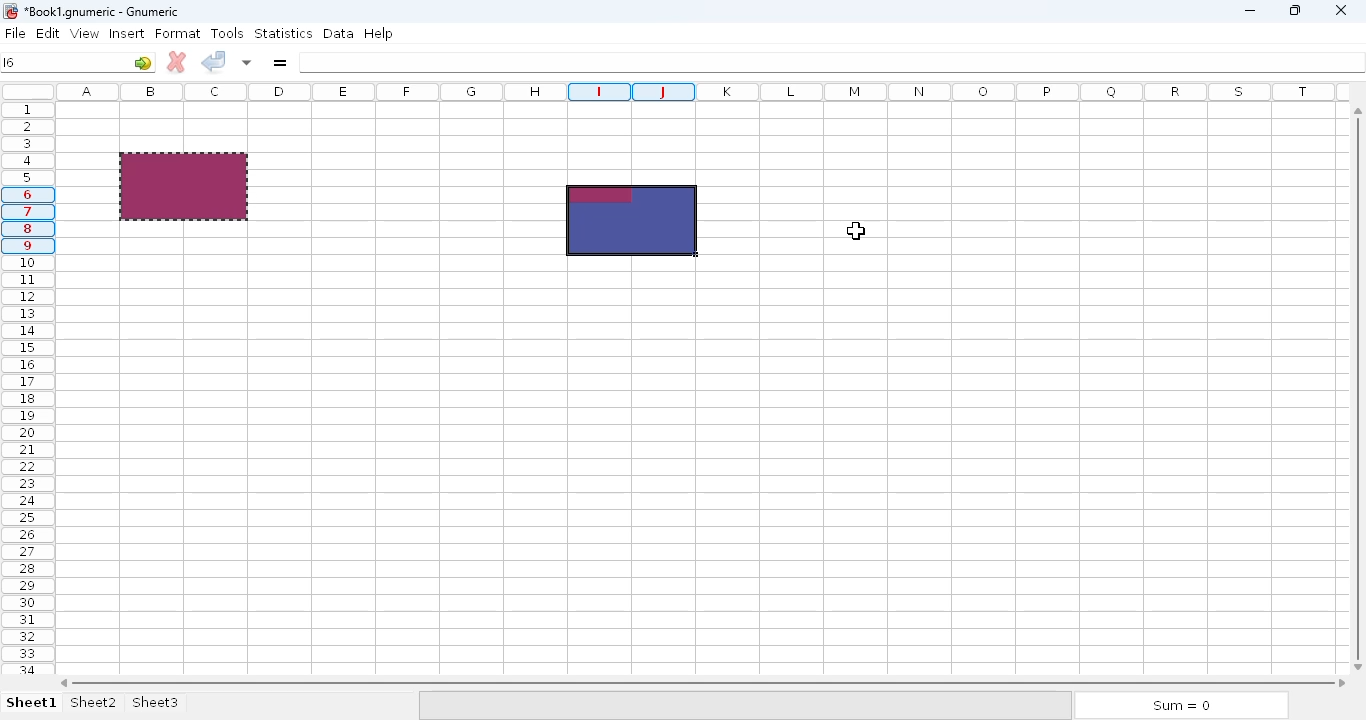 This screenshot has width=1366, height=720. Describe the element at coordinates (49, 32) in the screenshot. I see `edit` at that location.